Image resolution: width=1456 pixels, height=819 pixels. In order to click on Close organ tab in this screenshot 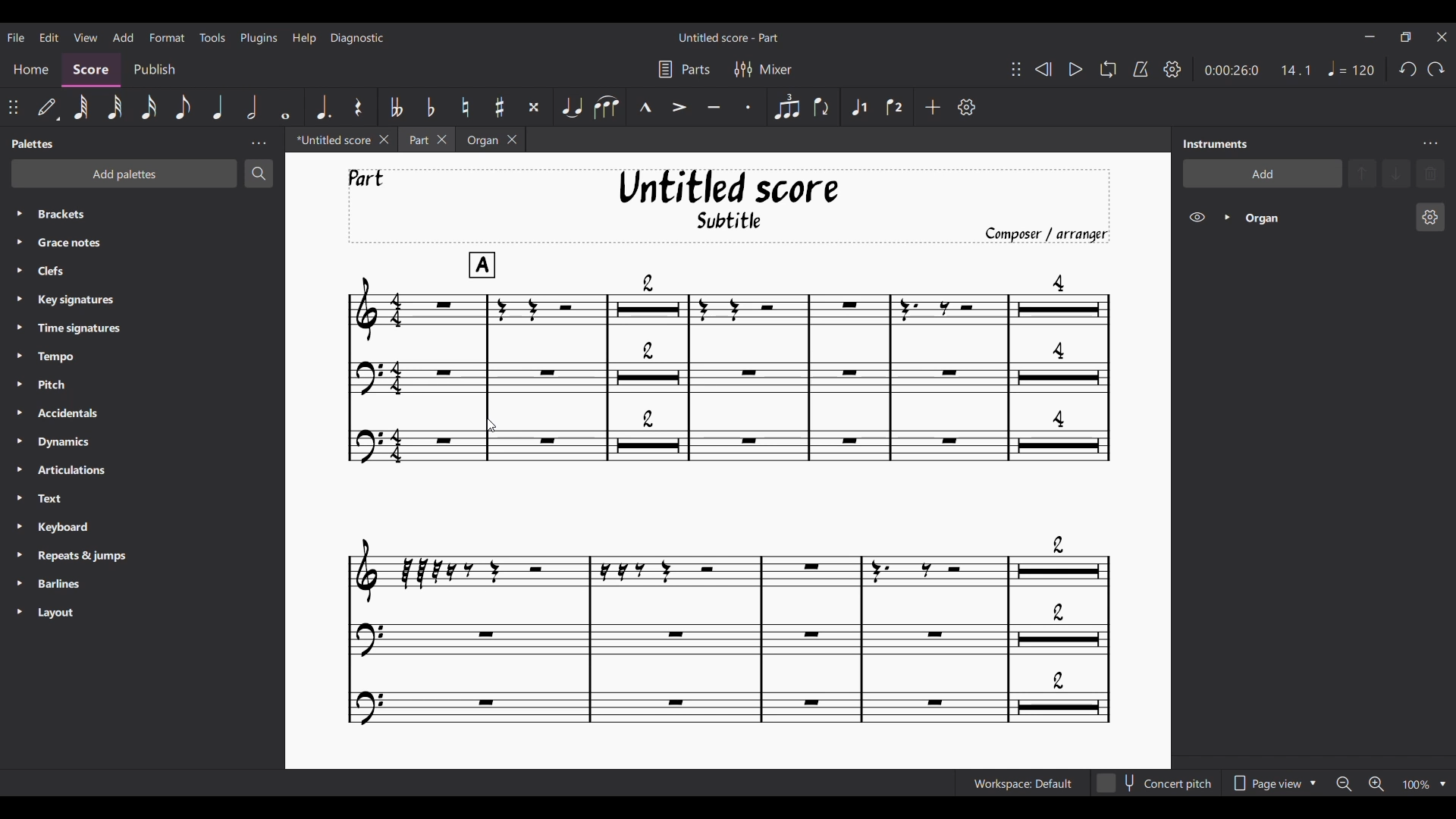, I will do `click(513, 140)`.